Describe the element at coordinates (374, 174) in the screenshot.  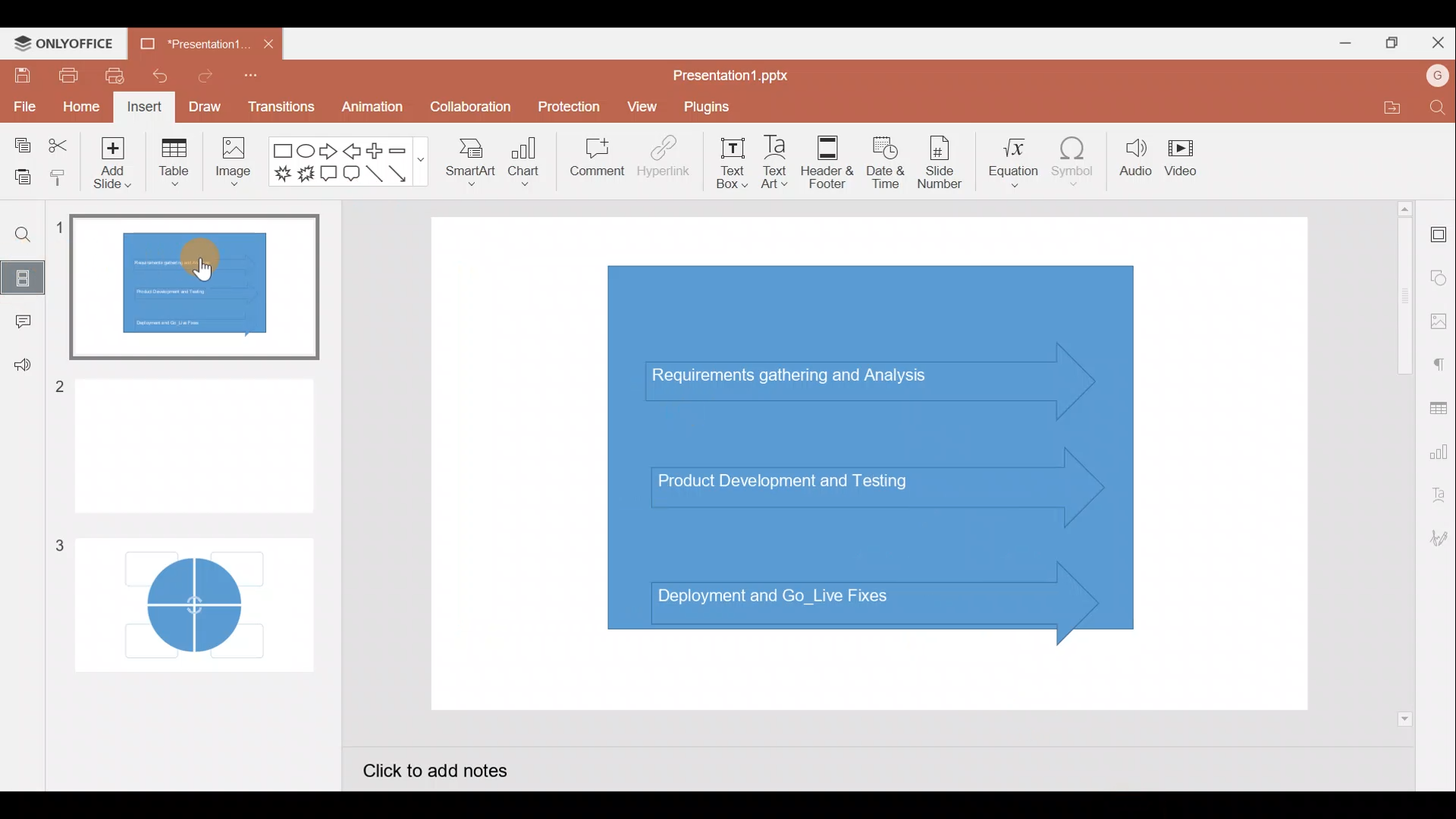
I see `Line` at that location.